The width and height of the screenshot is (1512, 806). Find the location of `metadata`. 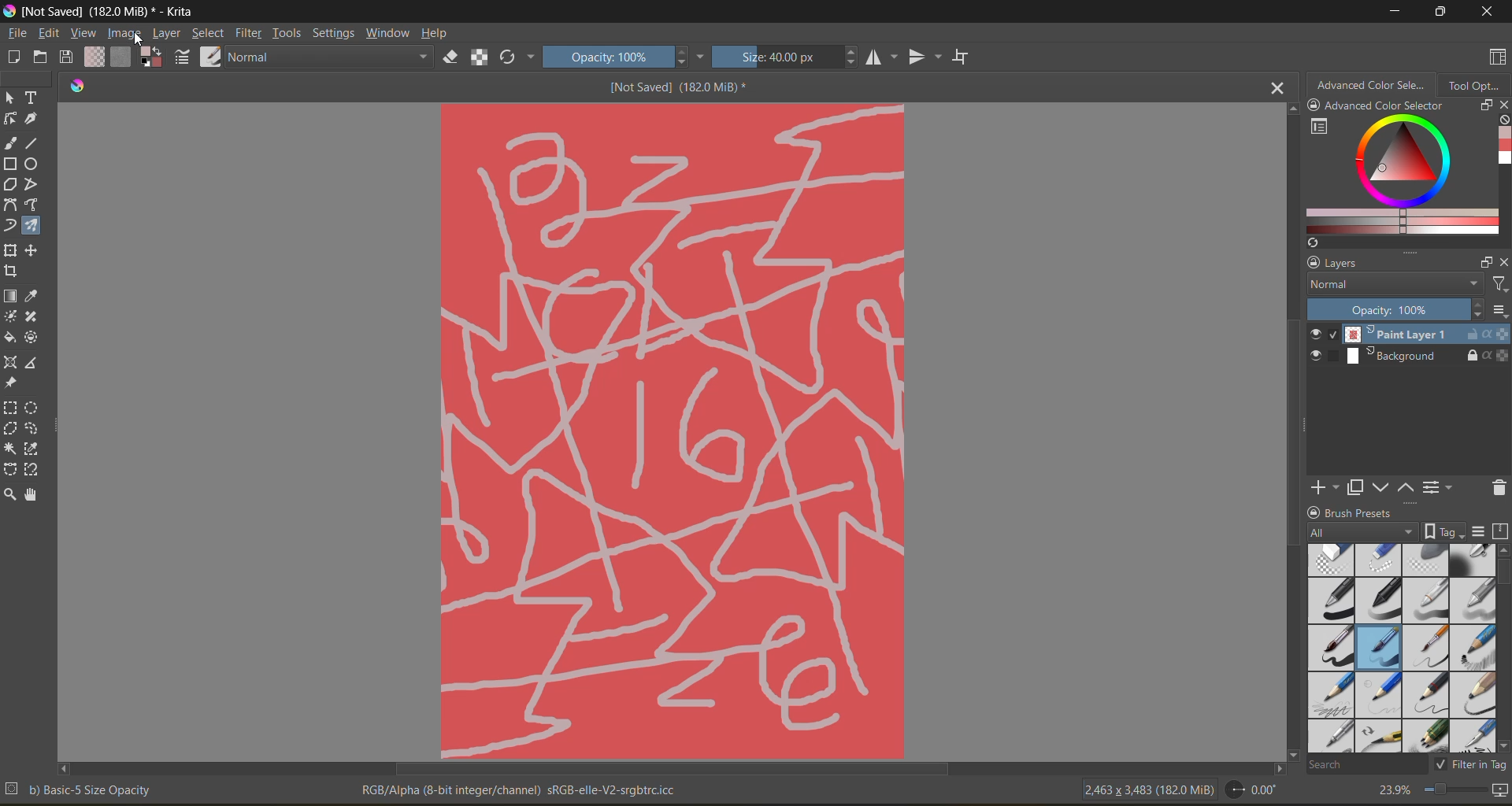

metadata is located at coordinates (352, 789).